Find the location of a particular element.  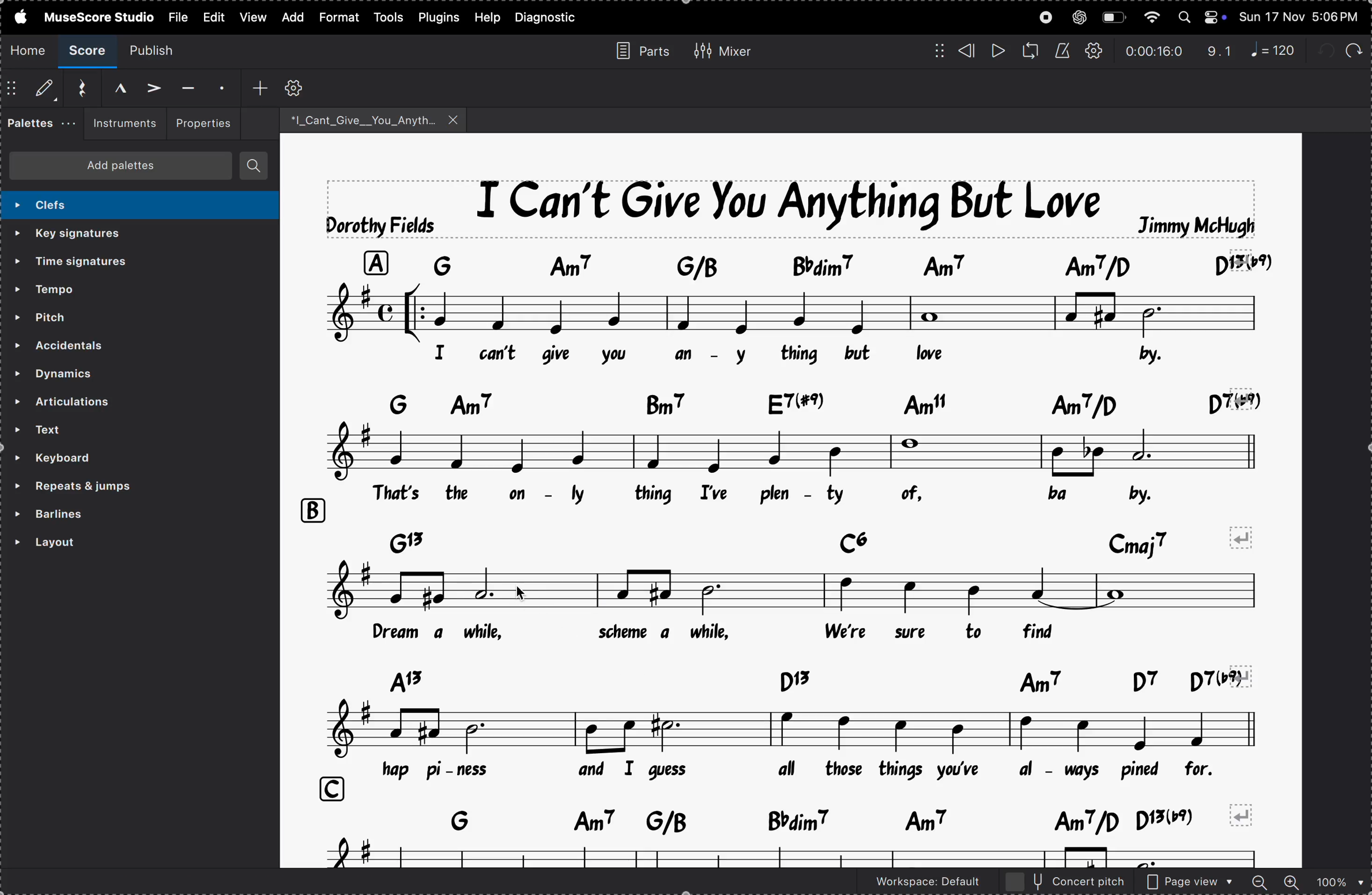

notes is located at coordinates (794, 450).